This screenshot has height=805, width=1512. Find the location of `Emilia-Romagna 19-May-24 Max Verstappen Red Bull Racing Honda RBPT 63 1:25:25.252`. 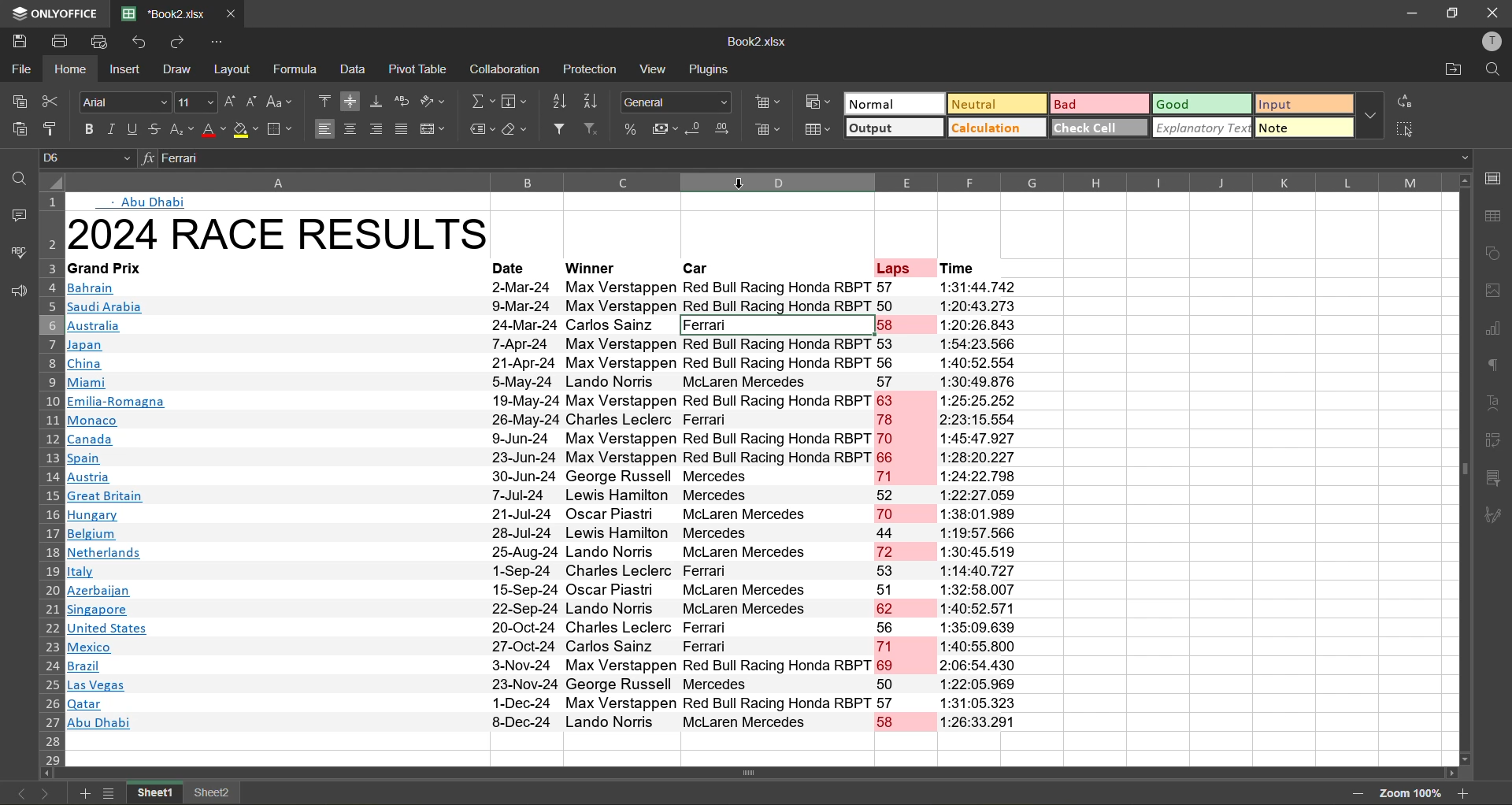

Emilia-Romagna 19-May-24 Max Verstappen Red Bull Racing Honda RBPT 63 1:25:25.252 is located at coordinates (545, 400).